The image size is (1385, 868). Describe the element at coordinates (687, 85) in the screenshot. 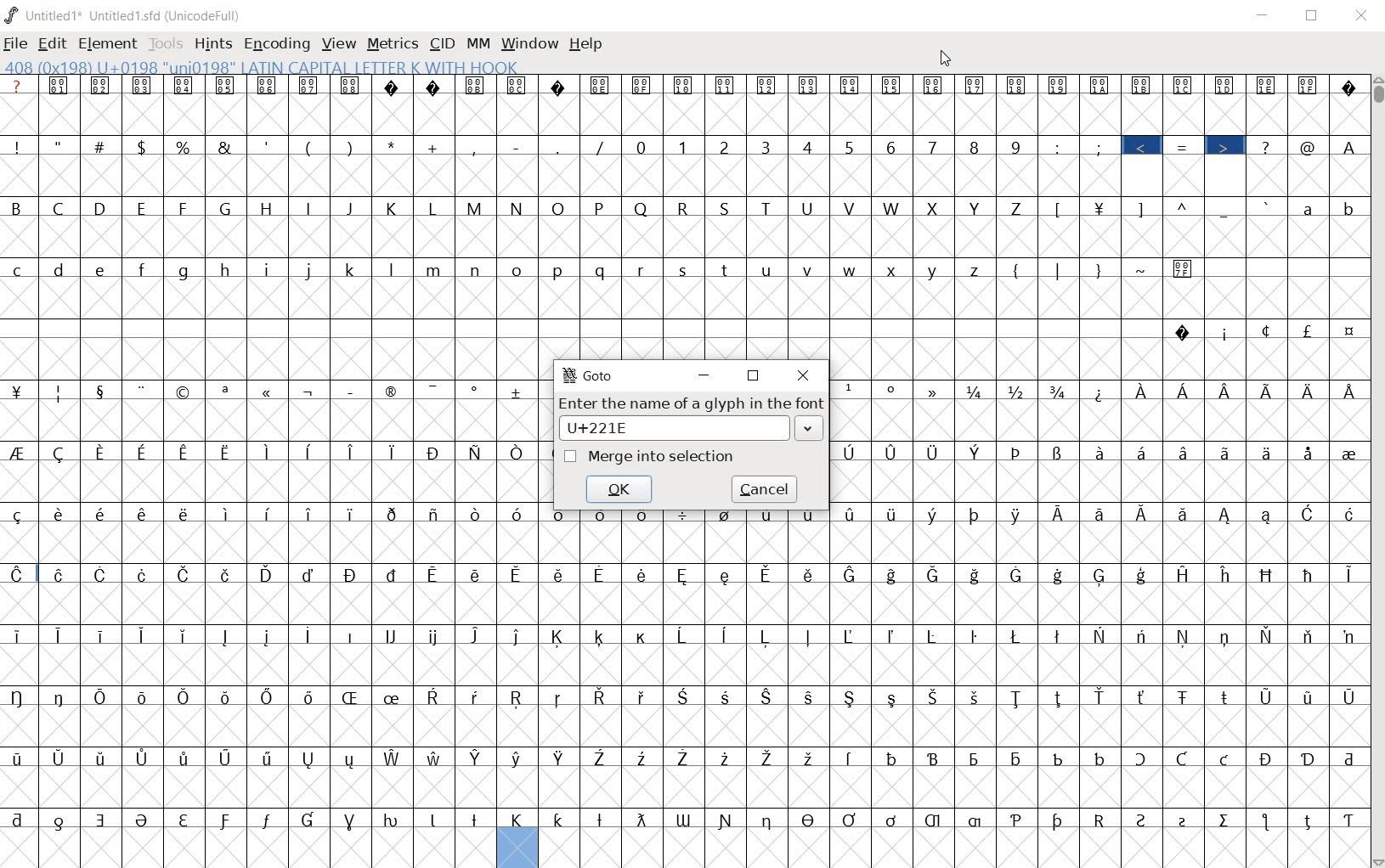

I see `unrecognized glyphs` at that location.